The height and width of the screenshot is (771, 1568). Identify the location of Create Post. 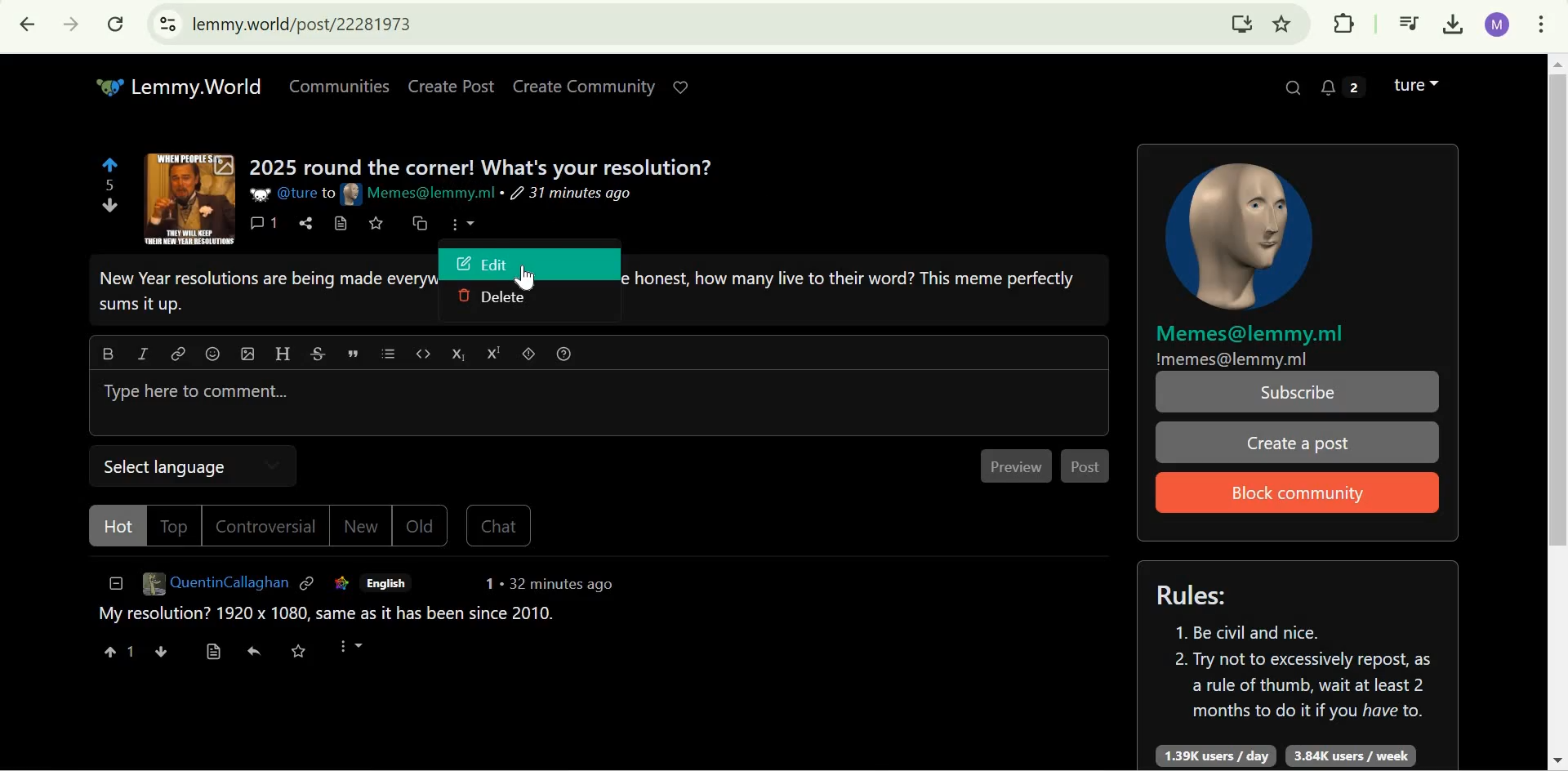
(452, 87).